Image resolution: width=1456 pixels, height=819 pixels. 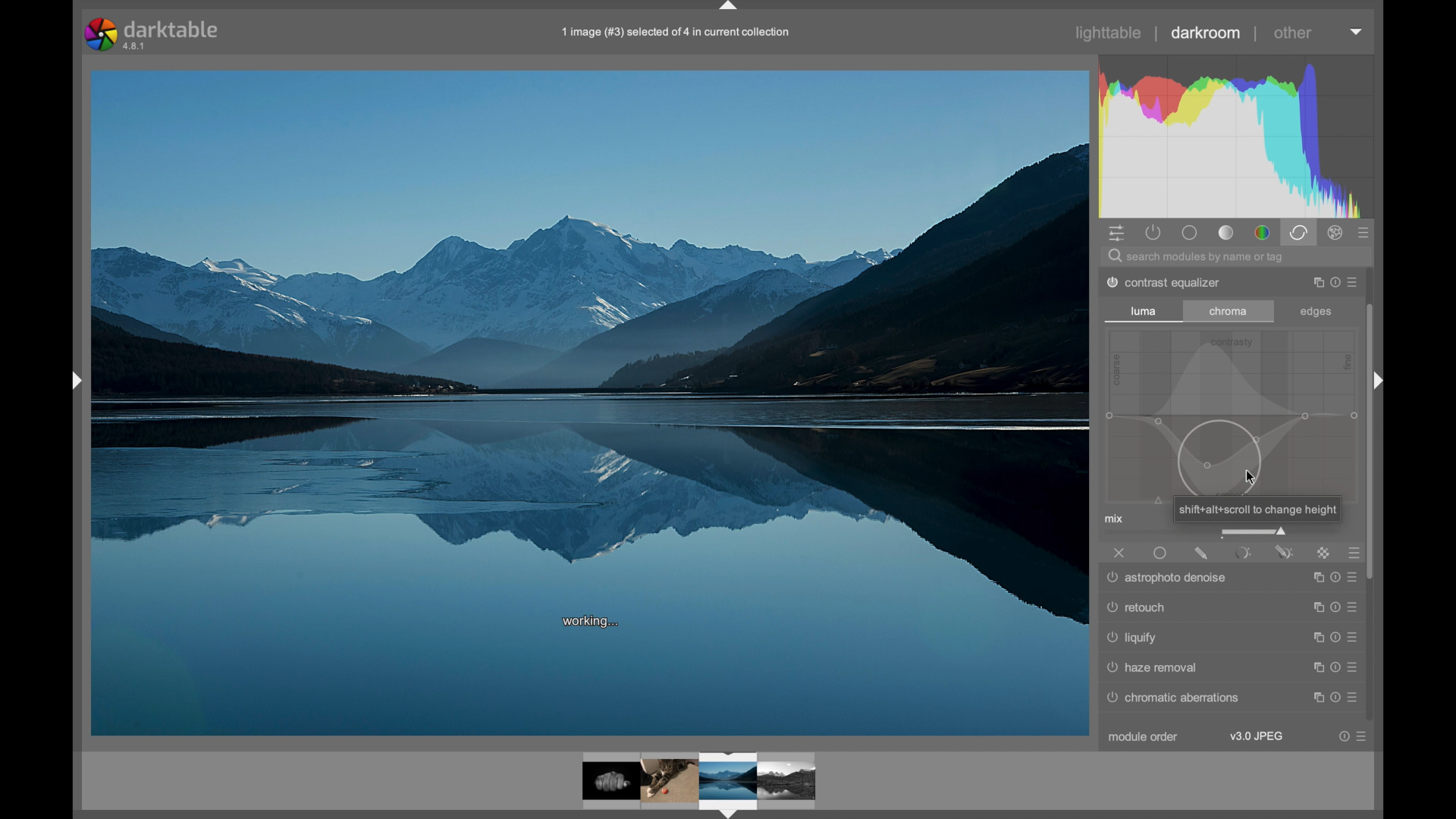 I want to click on lighttable, so click(x=1109, y=33).